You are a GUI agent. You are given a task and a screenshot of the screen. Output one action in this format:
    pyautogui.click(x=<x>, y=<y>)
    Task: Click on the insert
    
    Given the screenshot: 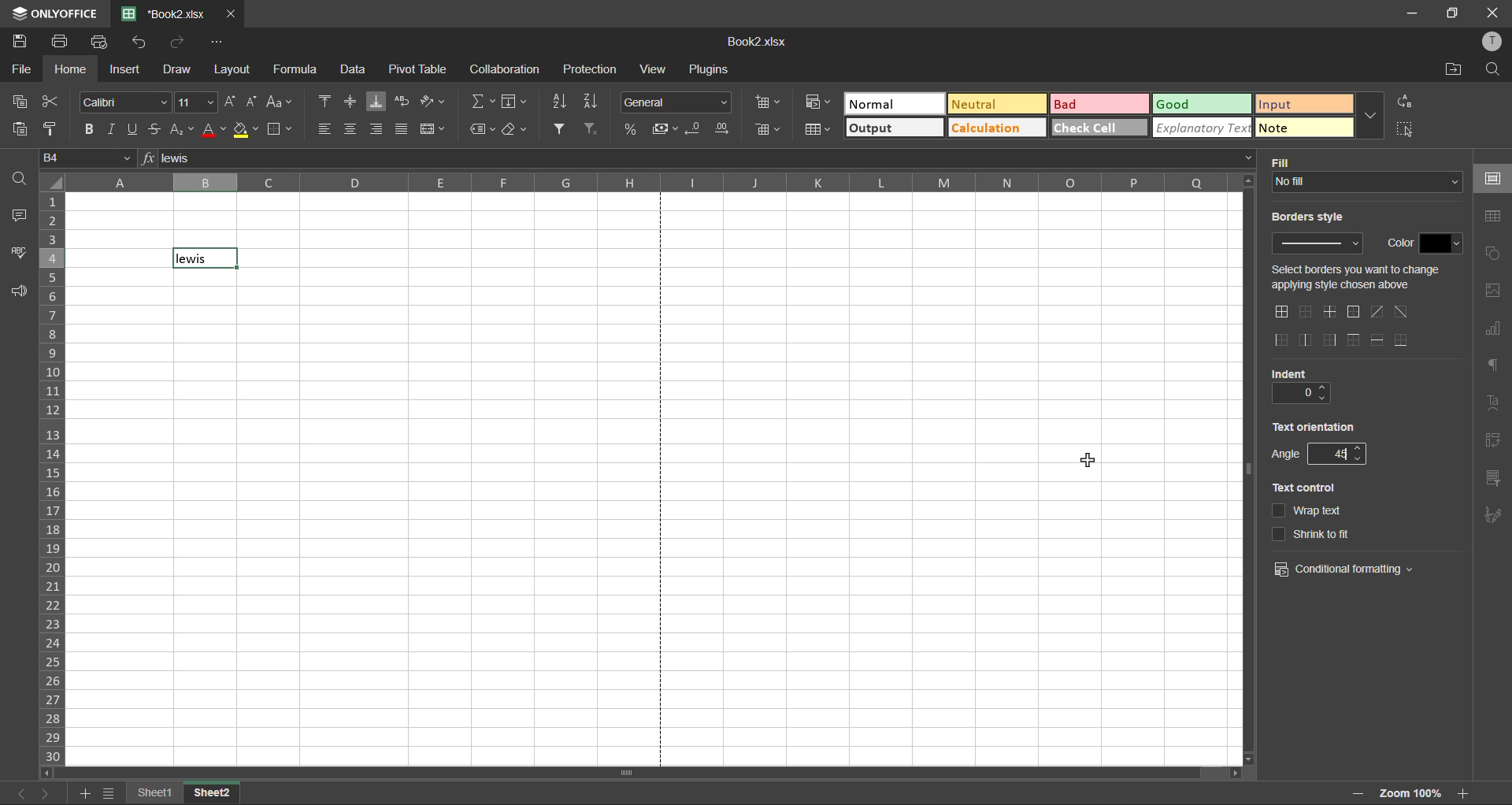 What is the action you would take?
    pyautogui.click(x=128, y=69)
    